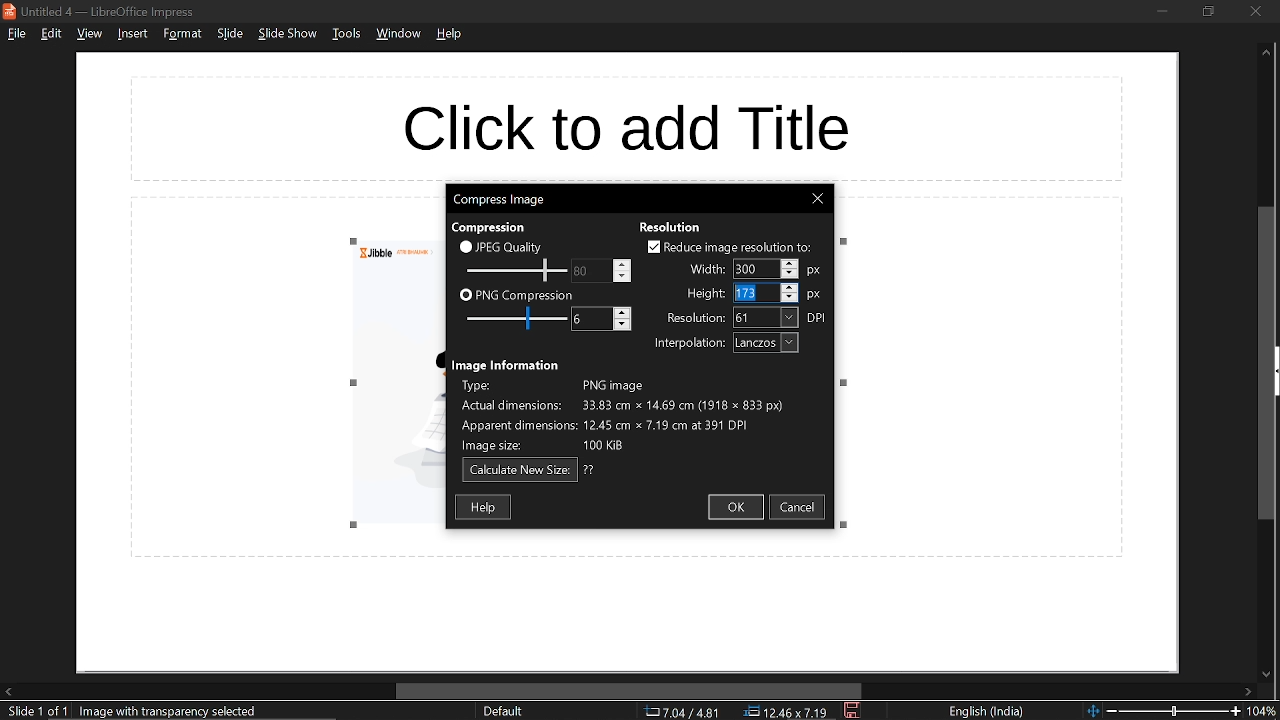  Describe the element at coordinates (671, 225) in the screenshot. I see `text` at that location.